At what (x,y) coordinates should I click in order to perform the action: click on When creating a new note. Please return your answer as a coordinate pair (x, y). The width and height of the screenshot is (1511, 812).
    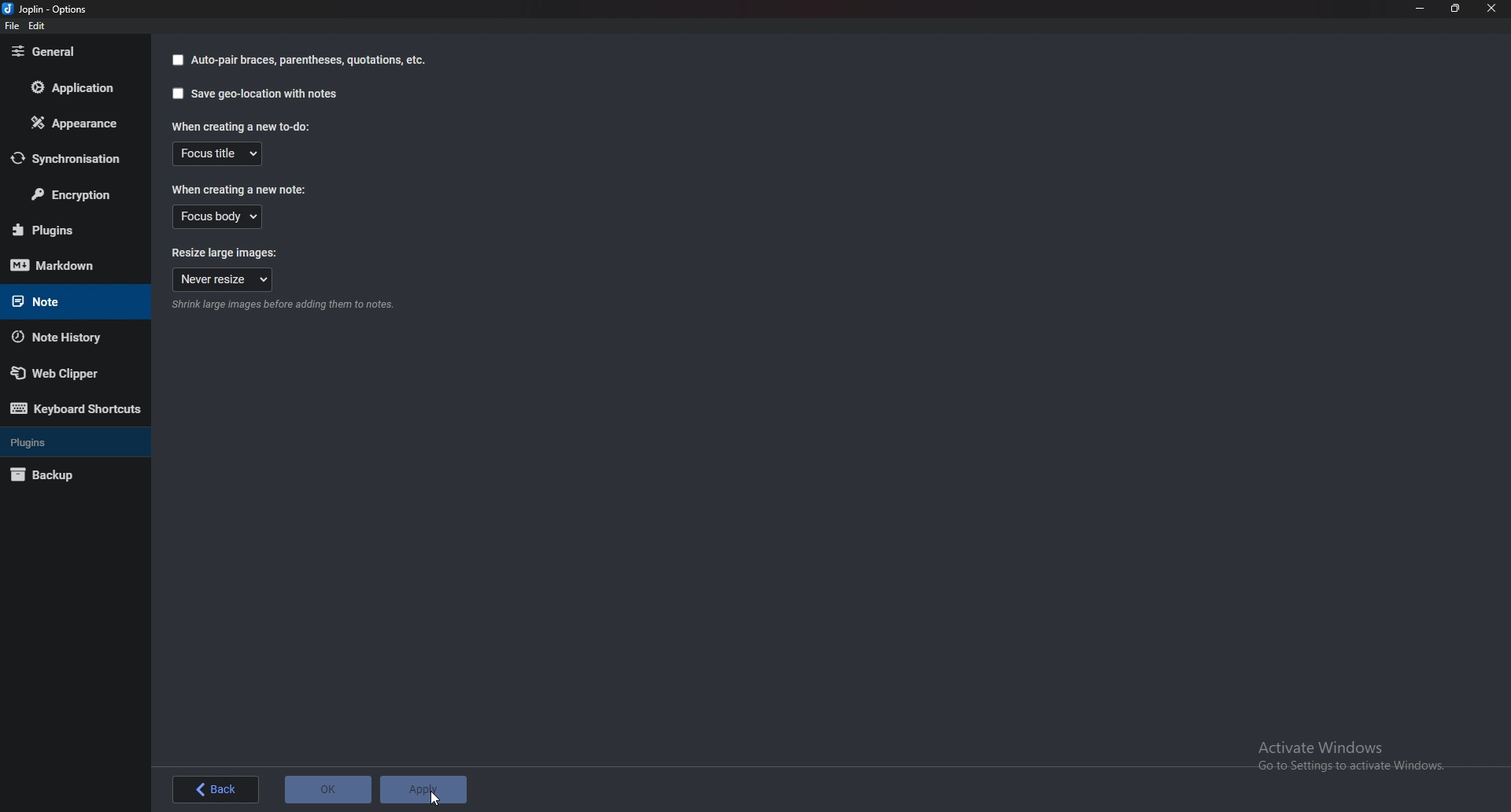
    Looking at the image, I should click on (240, 190).